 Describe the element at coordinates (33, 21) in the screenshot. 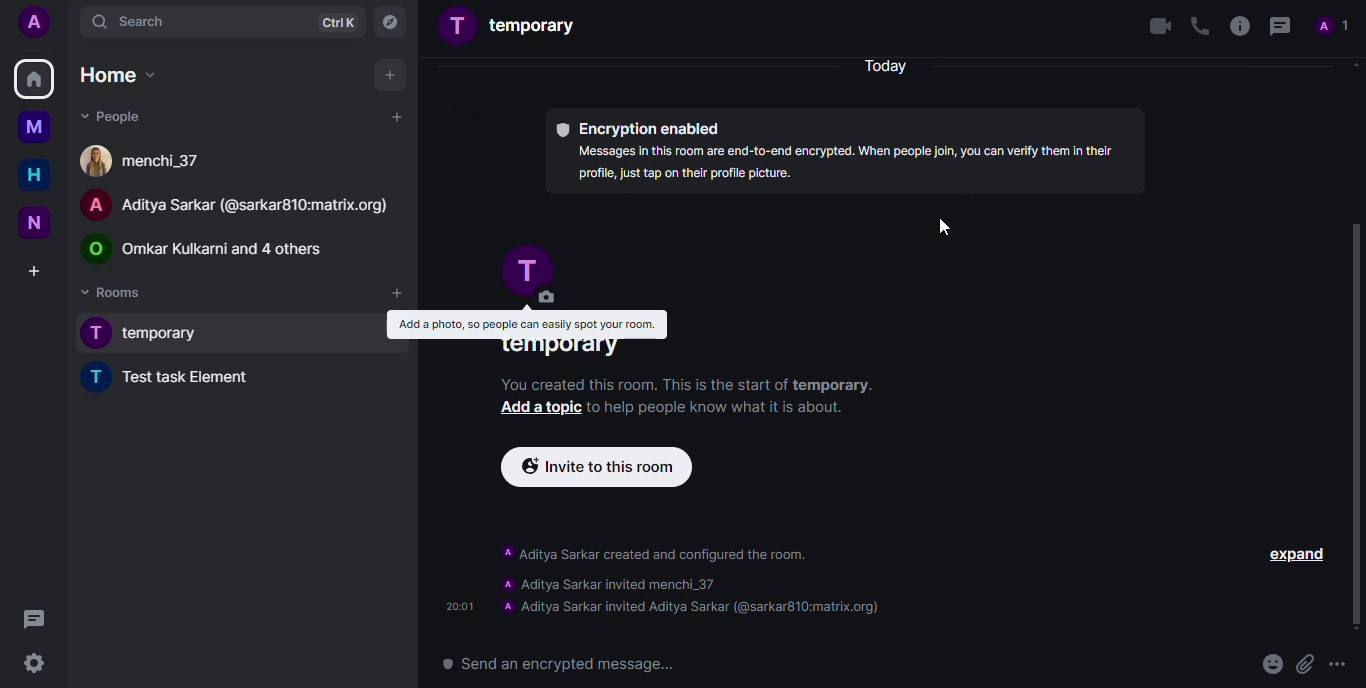

I see `profile` at that location.